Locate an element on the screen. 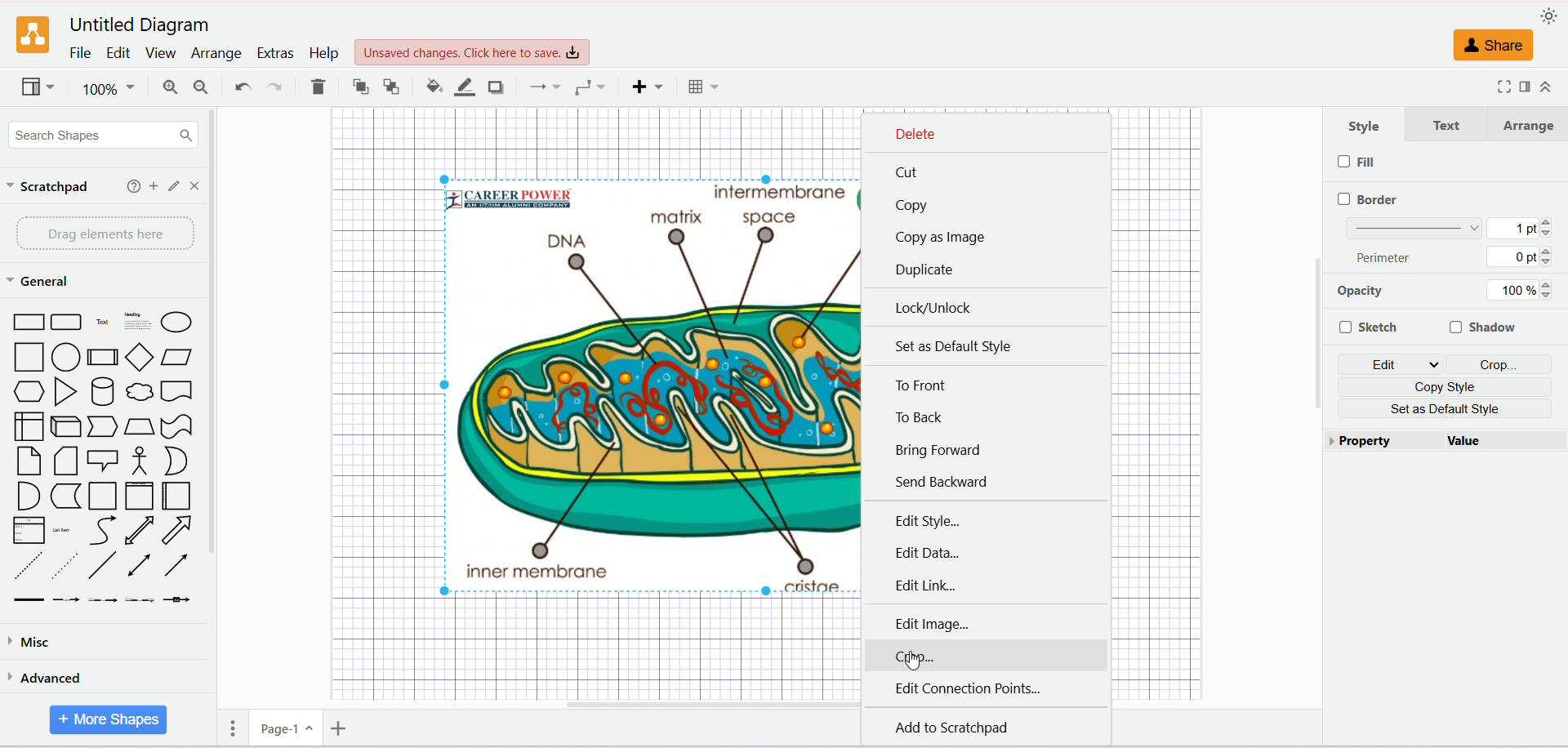 Image resolution: width=1568 pixels, height=748 pixels. Dashed Line is located at coordinates (28, 567).